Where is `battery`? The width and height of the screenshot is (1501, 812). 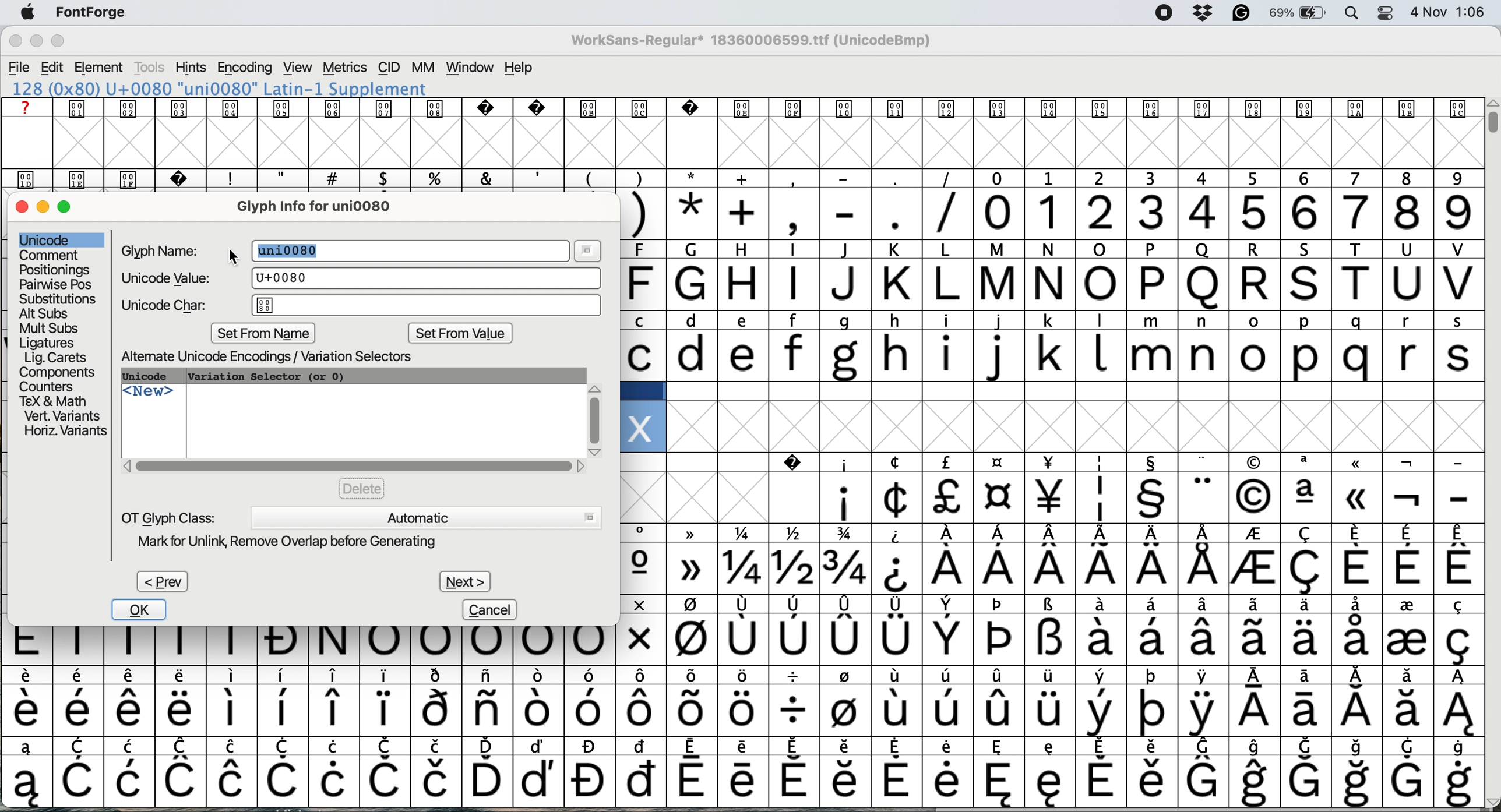 battery is located at coordinates (1298, 13).